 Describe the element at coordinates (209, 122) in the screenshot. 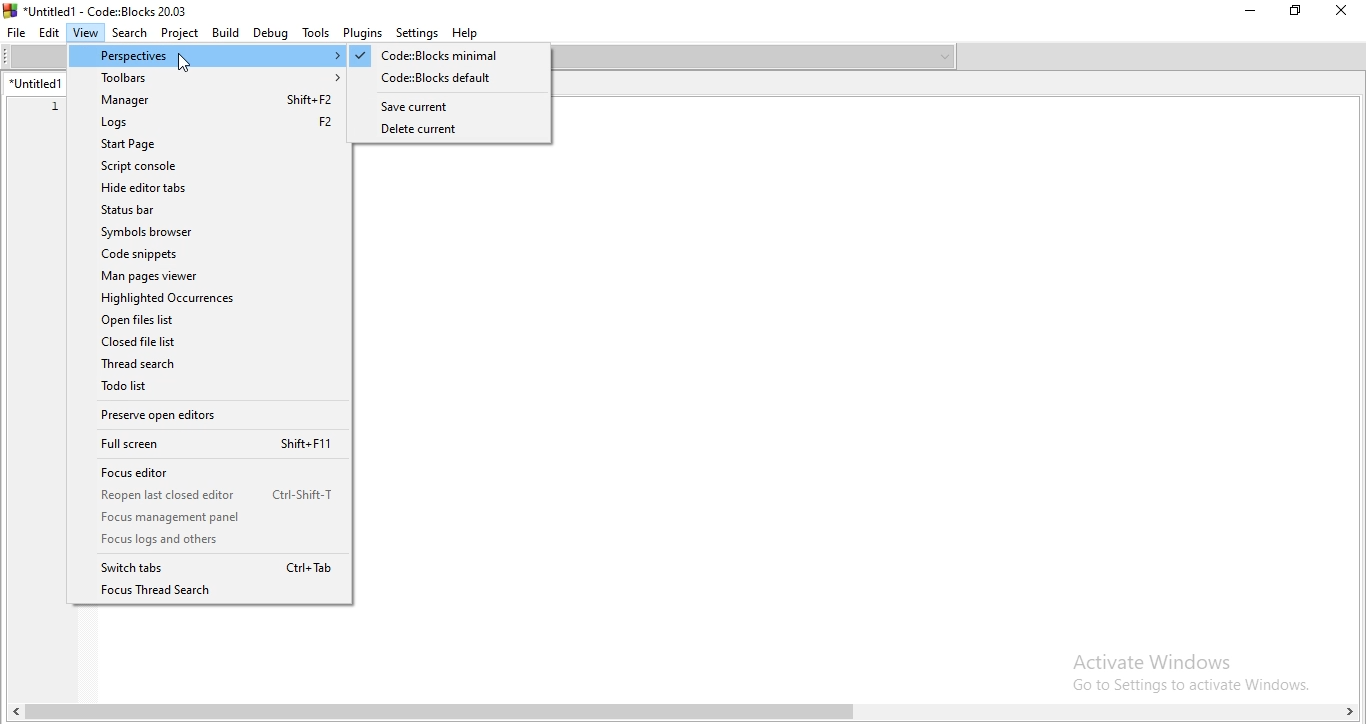

I see `Logs ` at that location.